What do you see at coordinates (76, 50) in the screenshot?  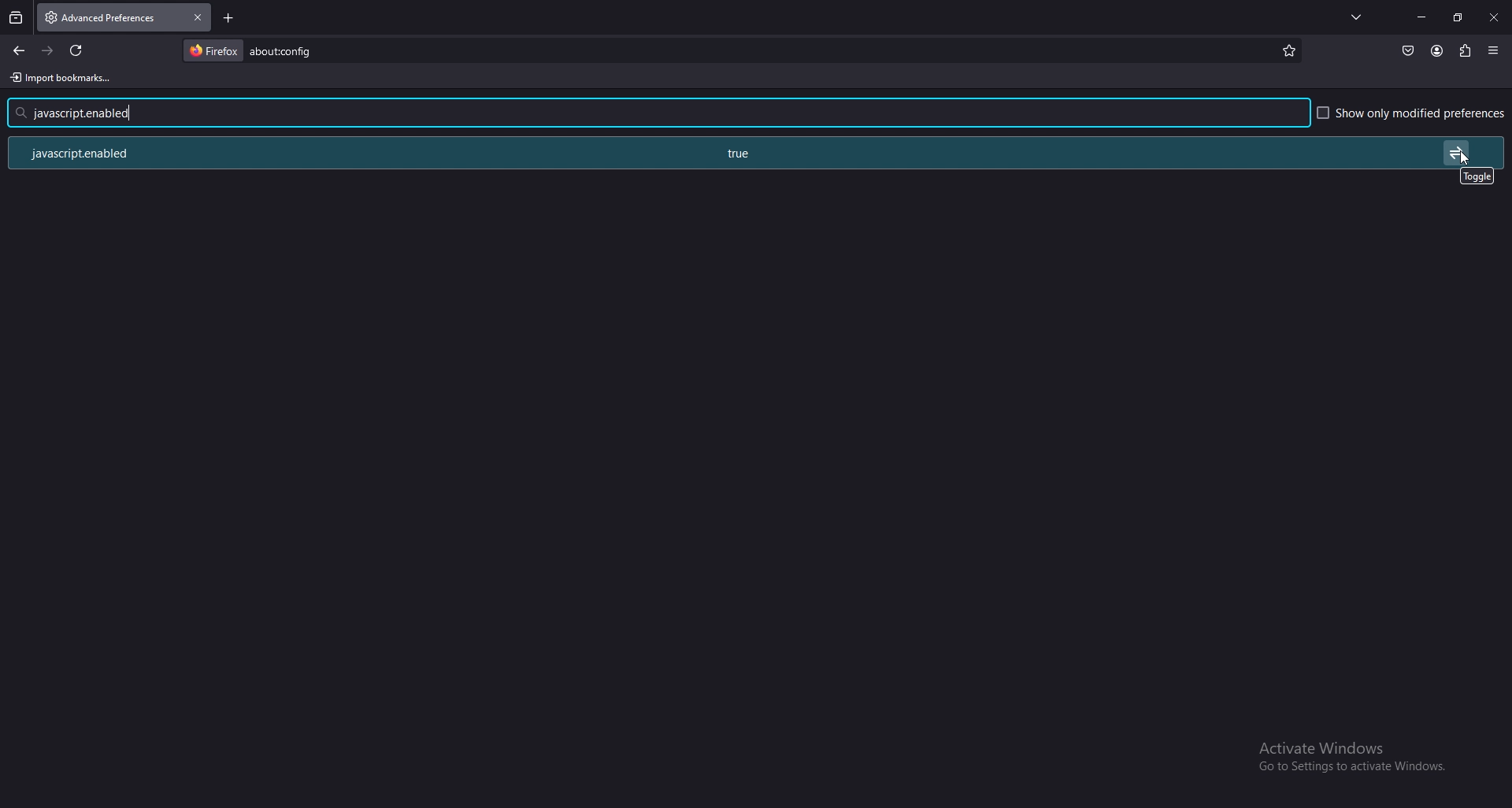 I see `refresh` at bounding box center [76, 50].